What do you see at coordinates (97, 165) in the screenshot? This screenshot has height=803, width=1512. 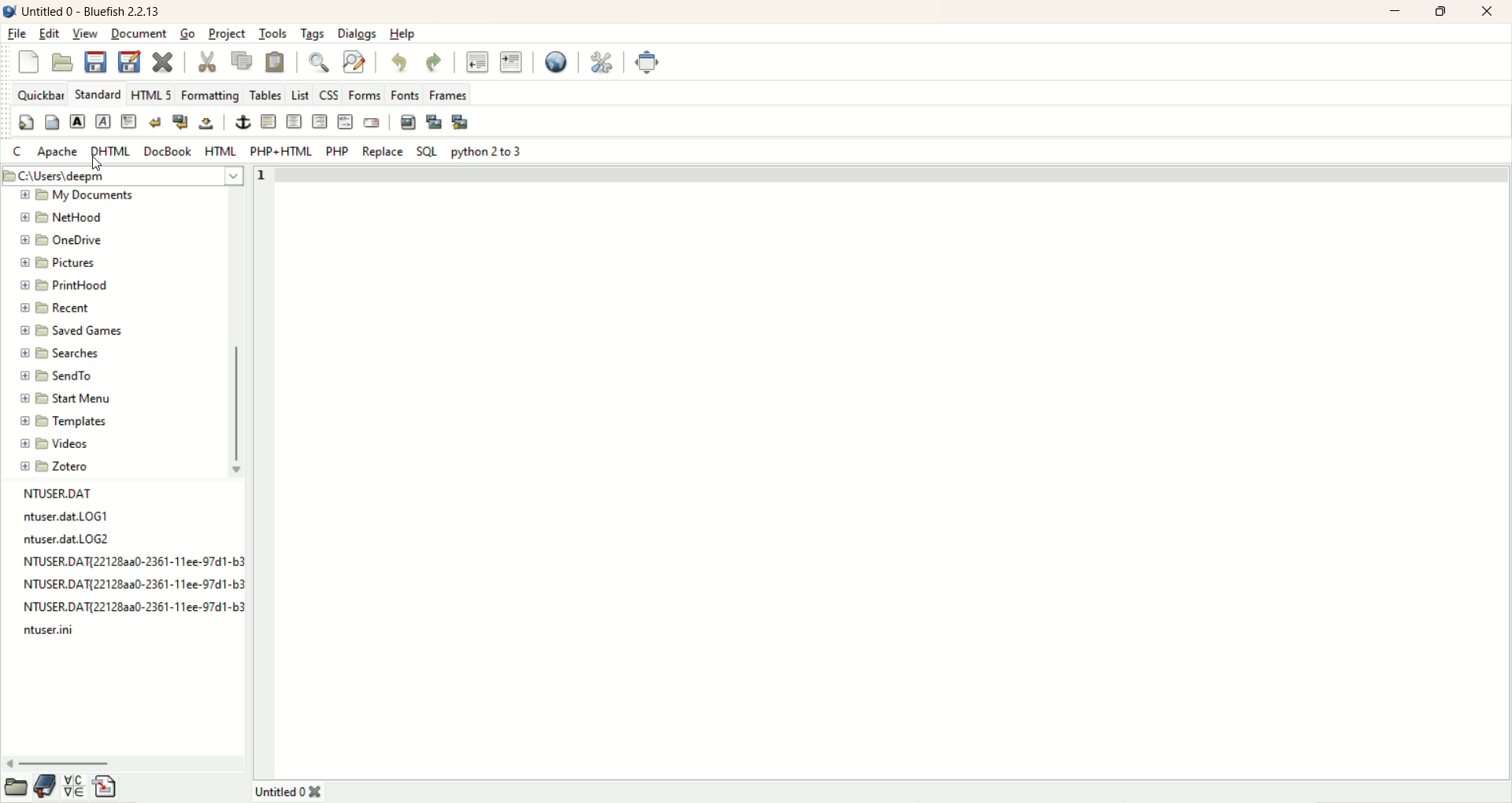 I see `Cursor` at bounding box center [97, 165].